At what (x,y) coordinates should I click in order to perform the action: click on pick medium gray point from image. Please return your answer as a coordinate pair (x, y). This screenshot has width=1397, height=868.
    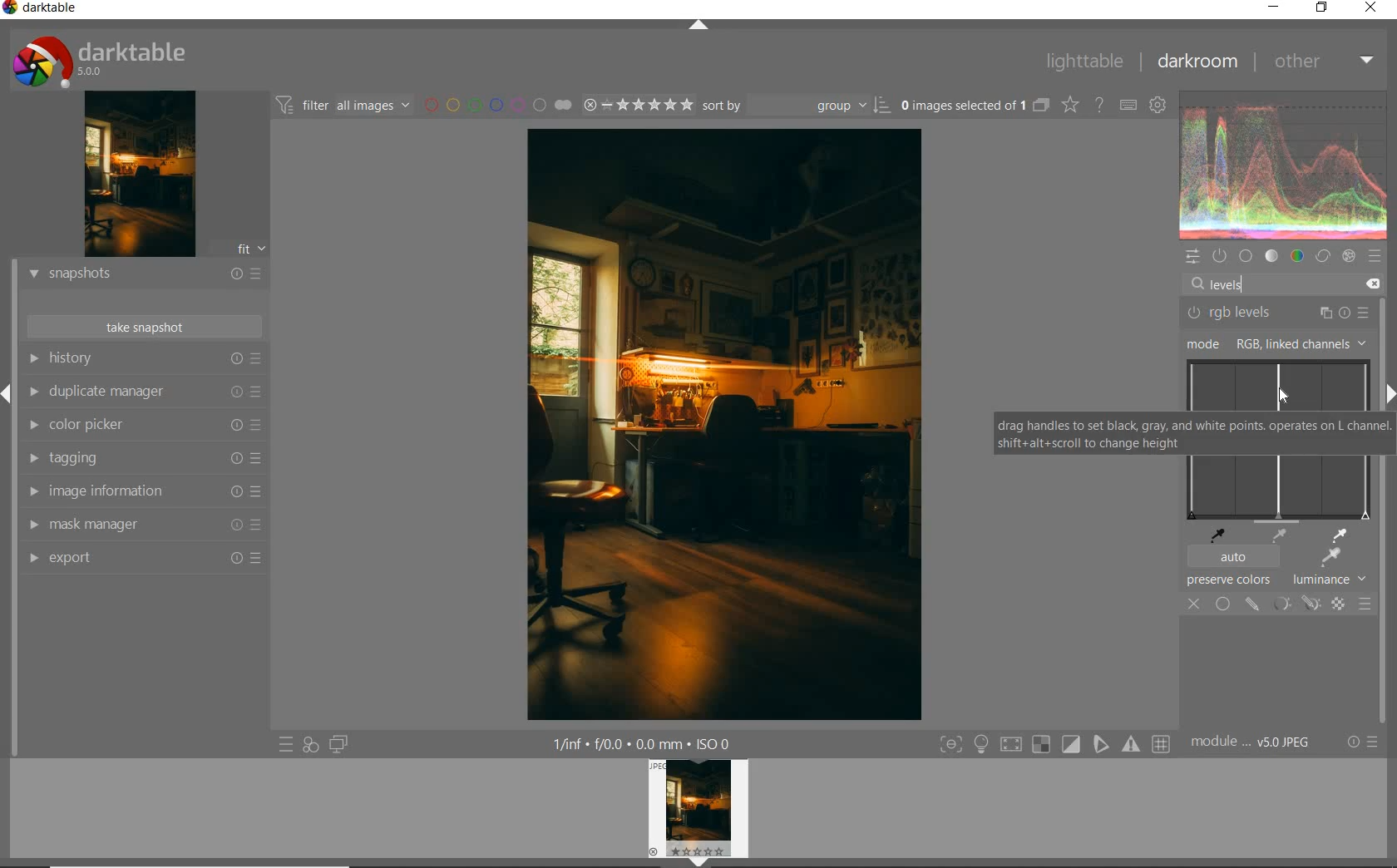
    Looking at the image, I should click on (1279, 536).